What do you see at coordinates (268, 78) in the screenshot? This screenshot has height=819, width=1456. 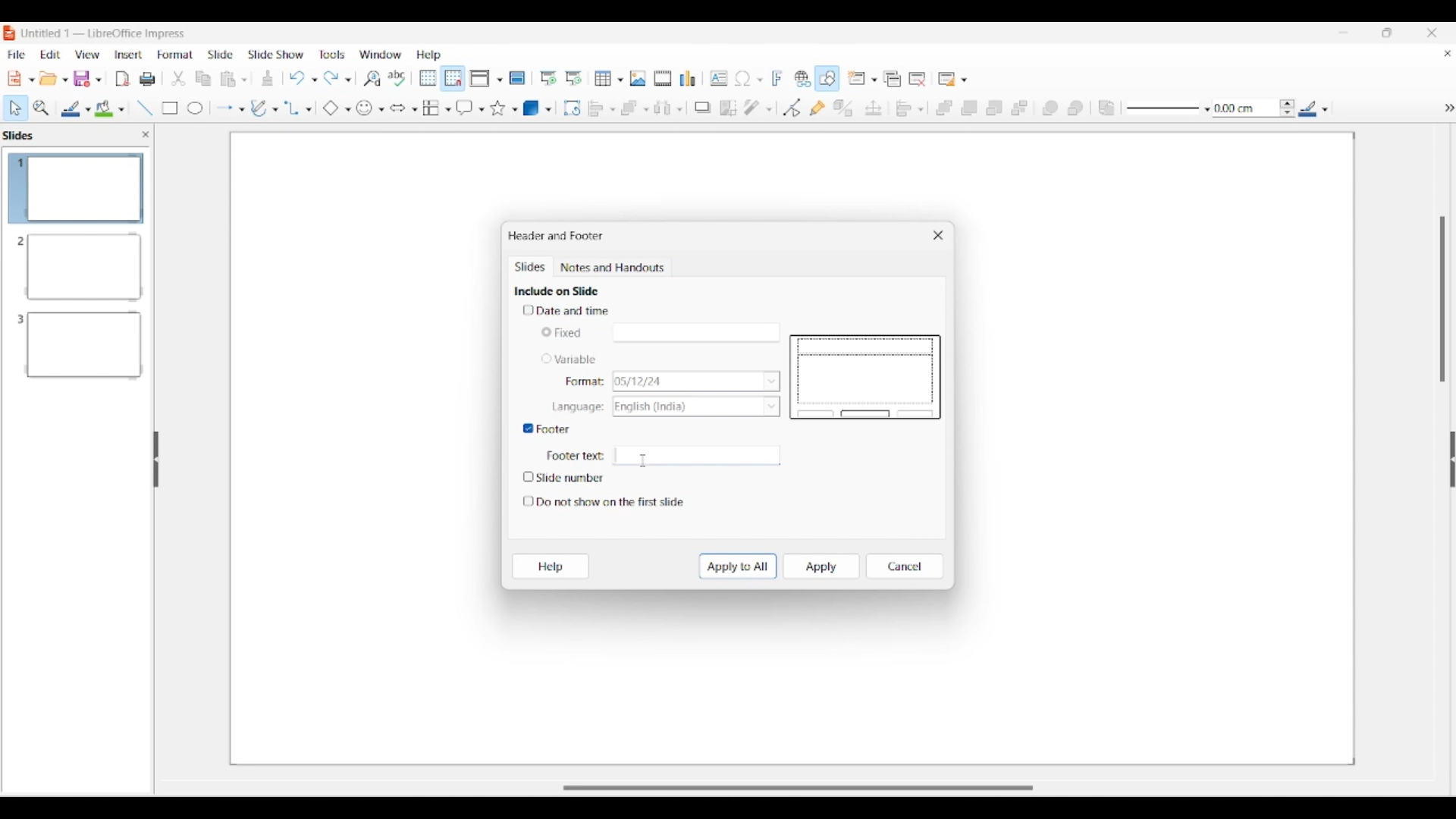 I see `Download` at bounding box center [268, 78].